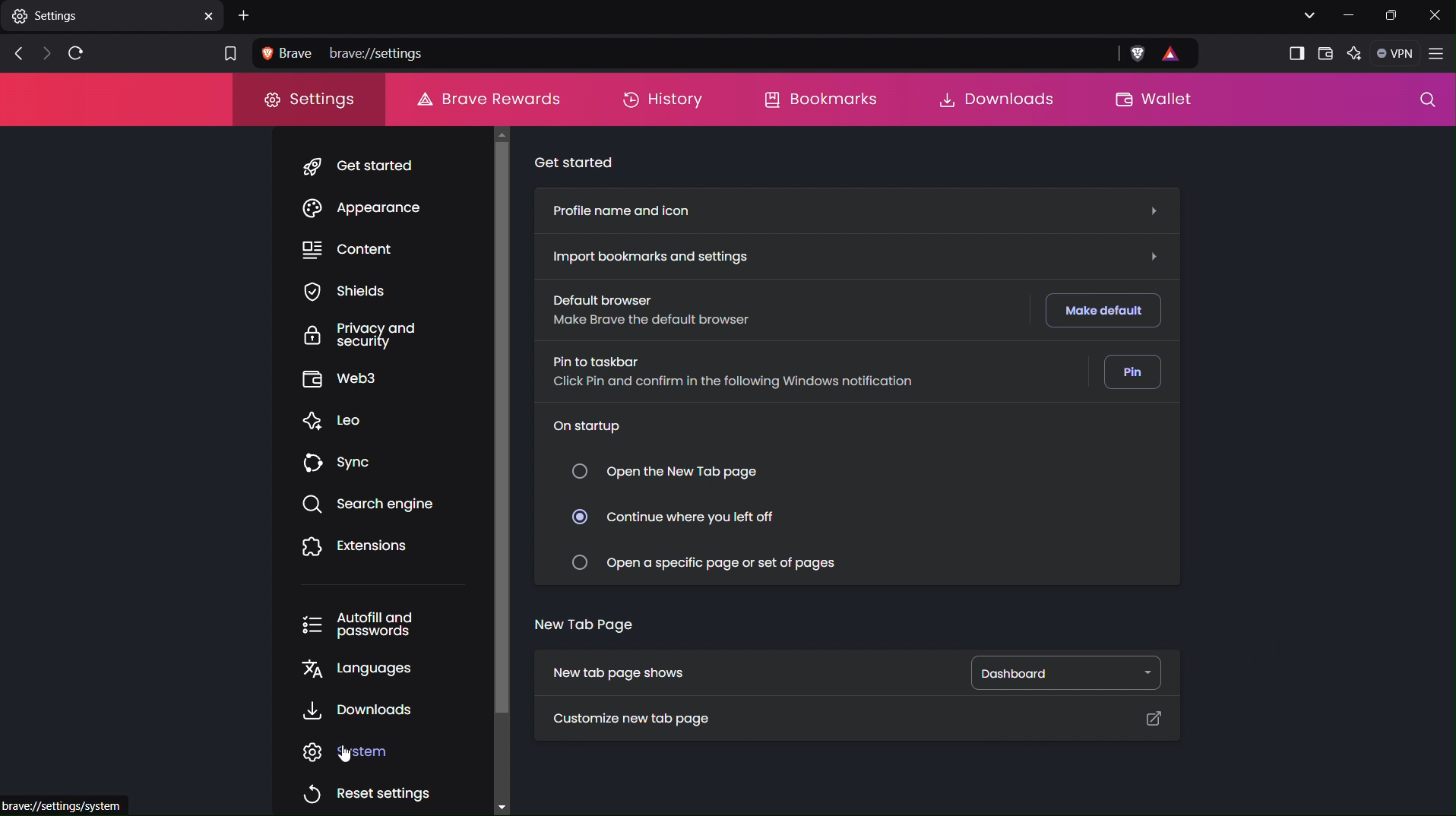 This screenshot has height=816, width=1456. What do you see at coordinates (1324, 52) in the screenshot?
I see `Wallet` at bounding box center [1324, 52].